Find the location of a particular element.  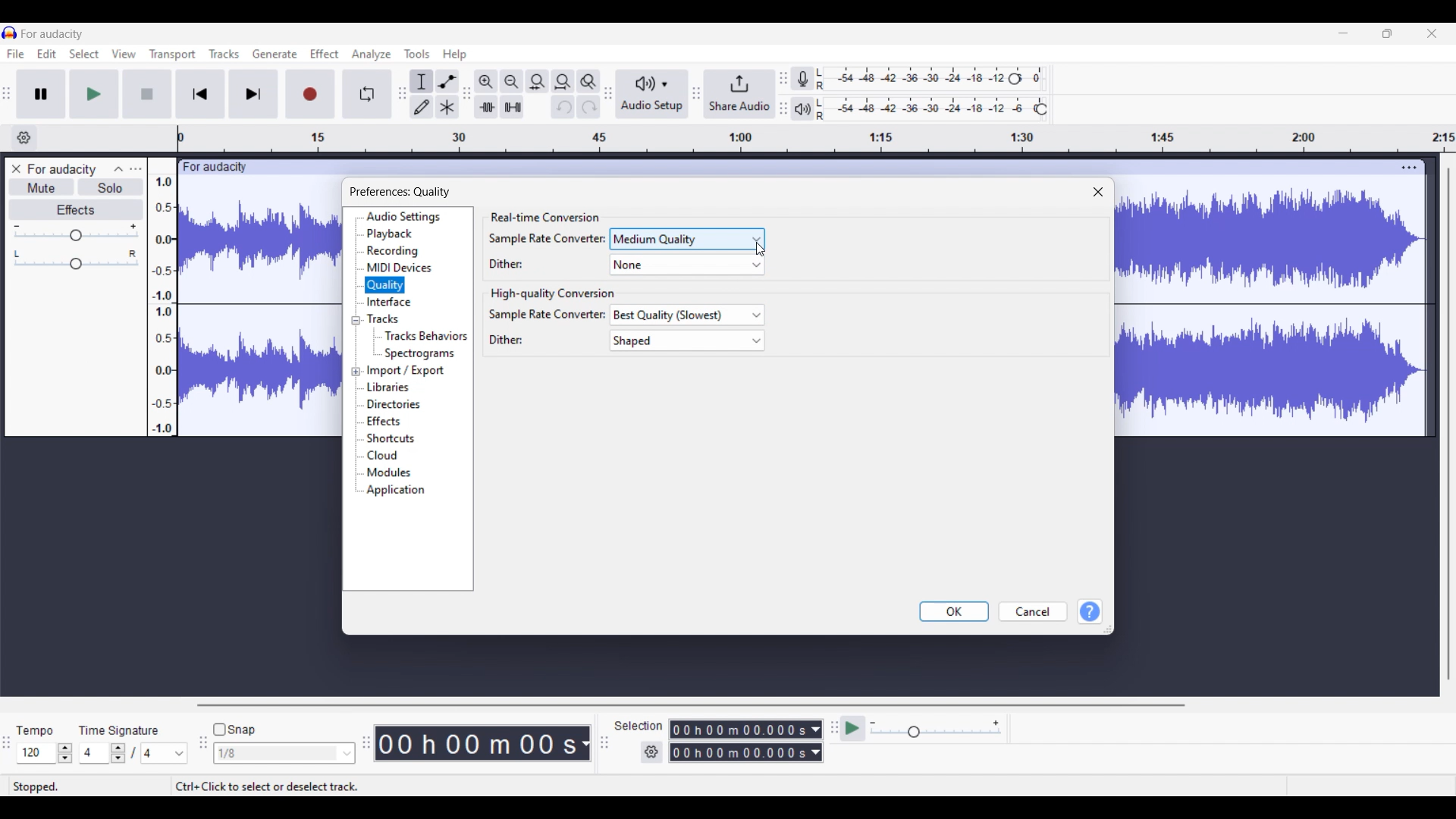

Timeline options is located at coordinates (24, 138).